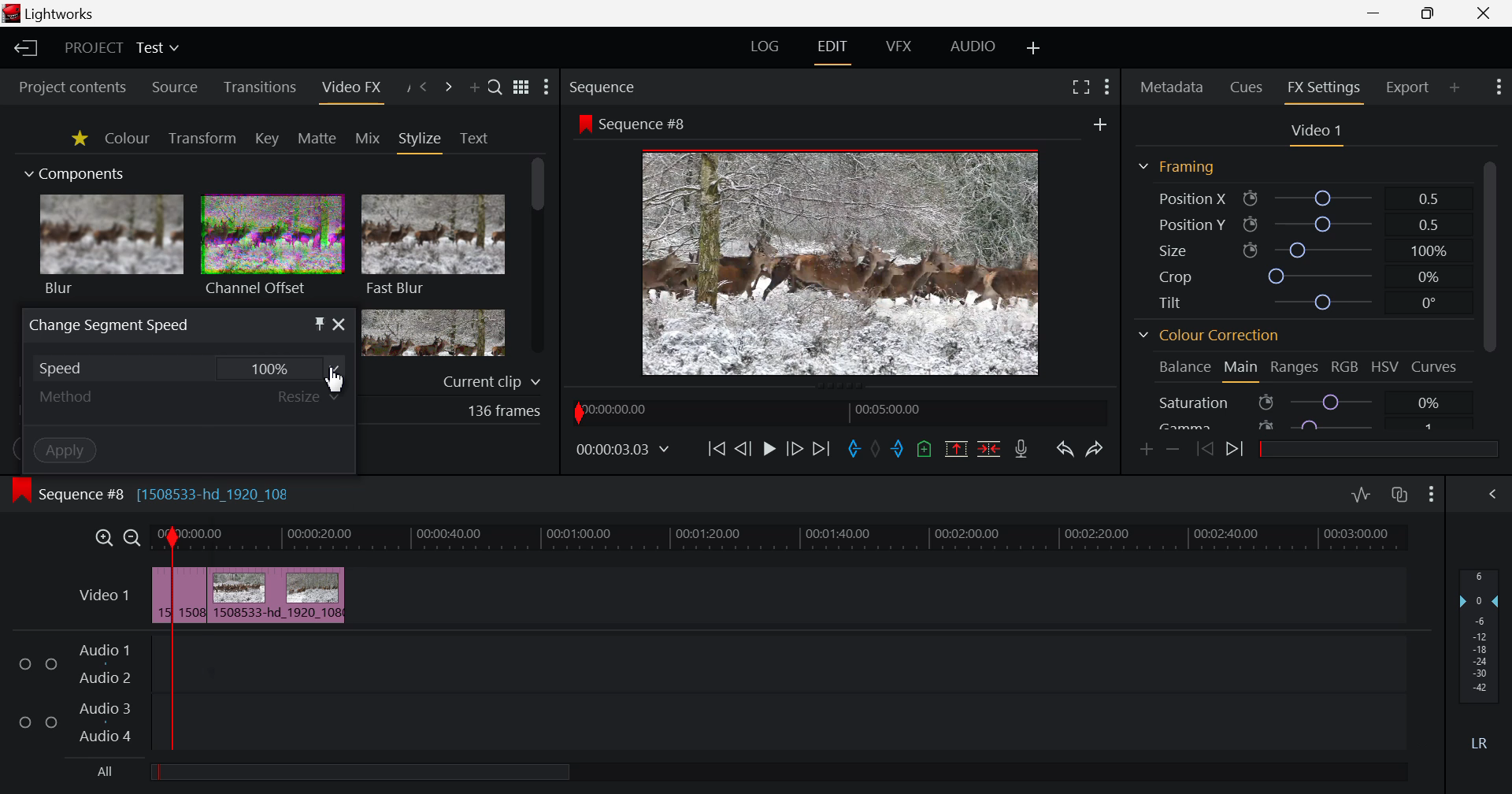 Image resolution: width=1512 pixels, height=794 pixels. Describe the element at coordinates (188, 398) in the screenshot. I see `Adjustment Method` at that location.